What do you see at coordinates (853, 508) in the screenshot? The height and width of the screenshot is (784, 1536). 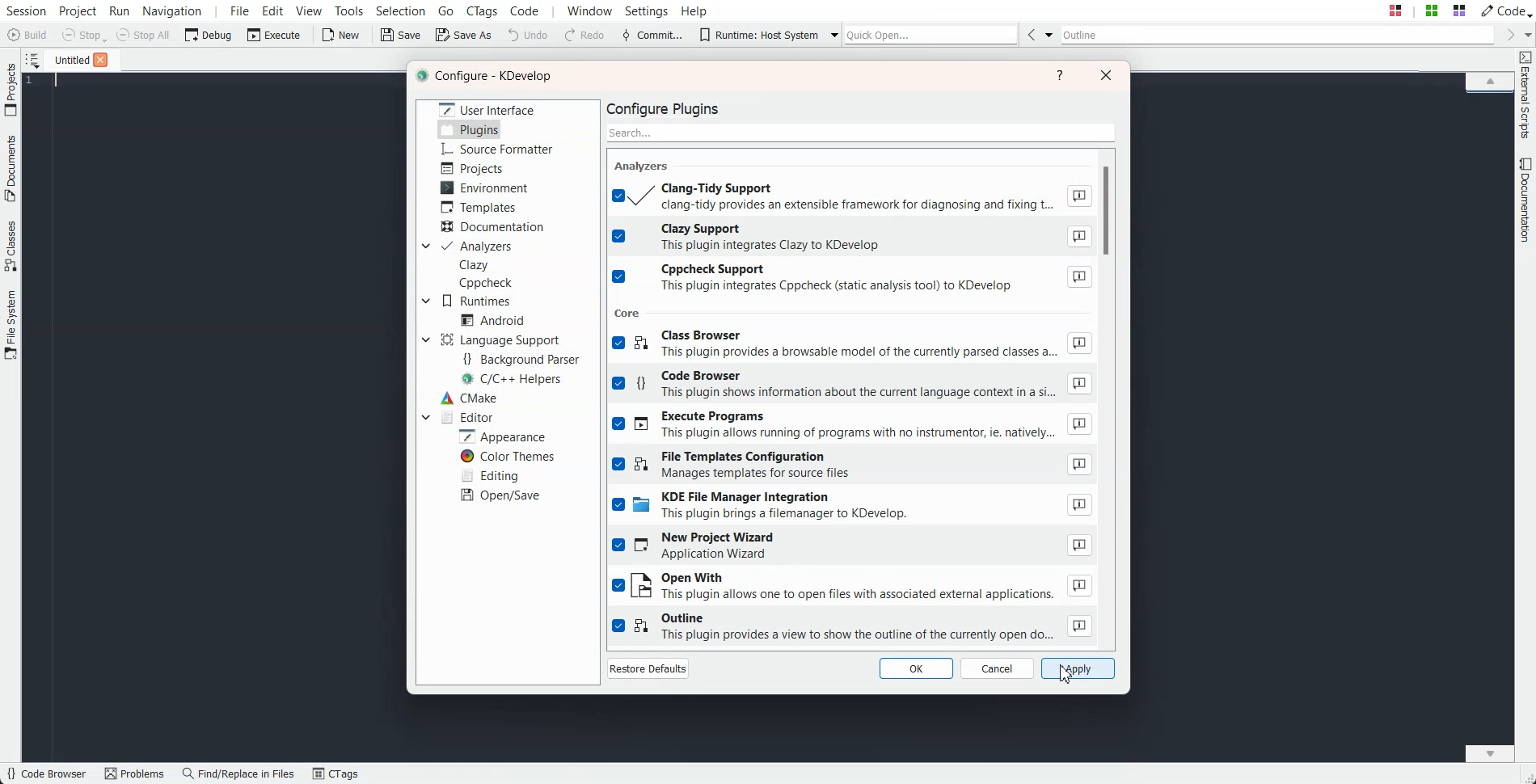 I see `Enable KDE File Manager Integration` at bounding box center [853, 508].